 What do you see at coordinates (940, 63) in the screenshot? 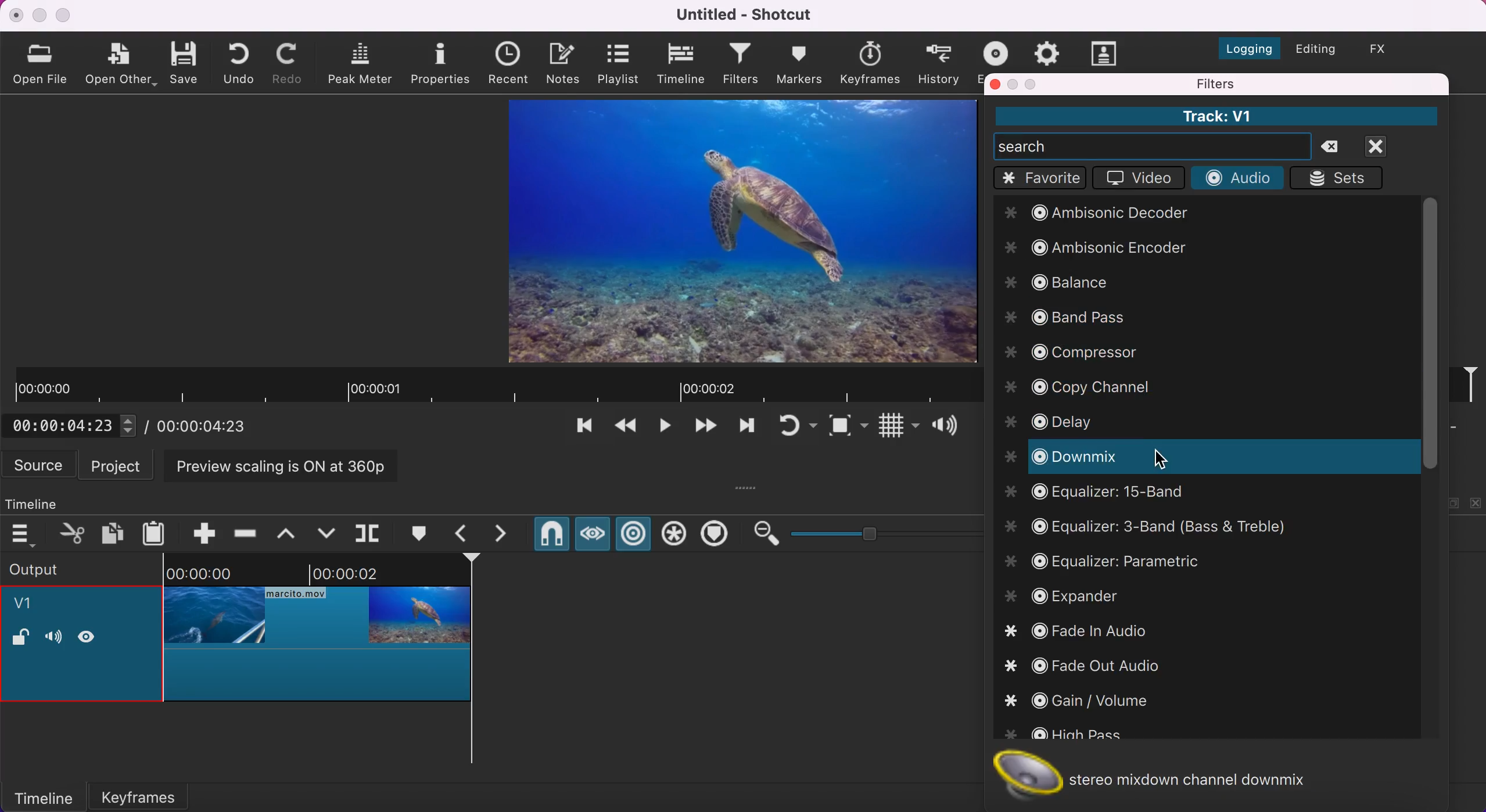
I see `history` at bounding box center [940, 63].